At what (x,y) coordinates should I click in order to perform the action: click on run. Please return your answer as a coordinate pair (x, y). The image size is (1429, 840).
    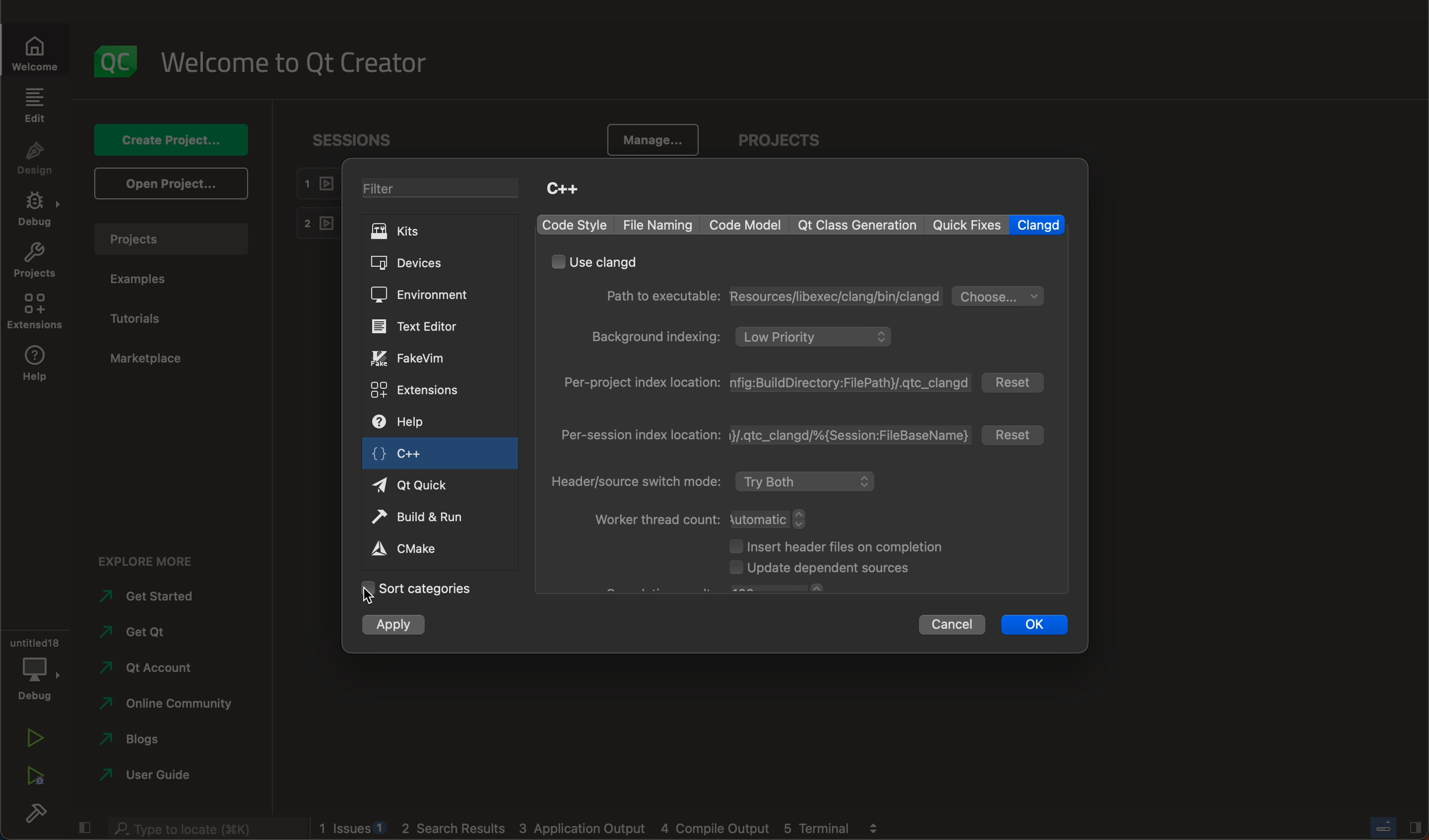
    Looking at the image, I should click on (35, 735).